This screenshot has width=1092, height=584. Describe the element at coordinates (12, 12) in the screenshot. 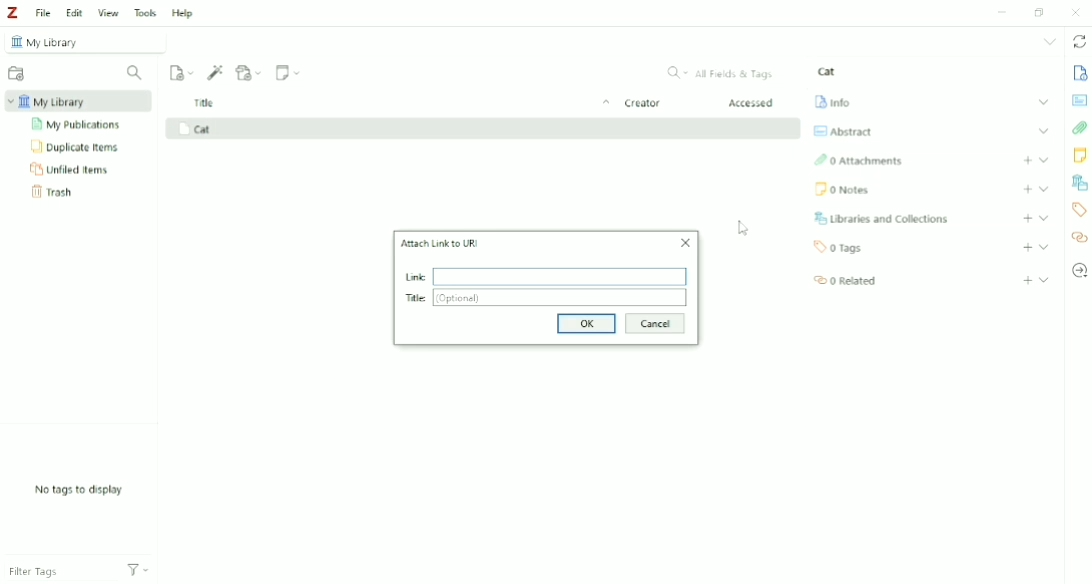

I see `Logo` at that location.